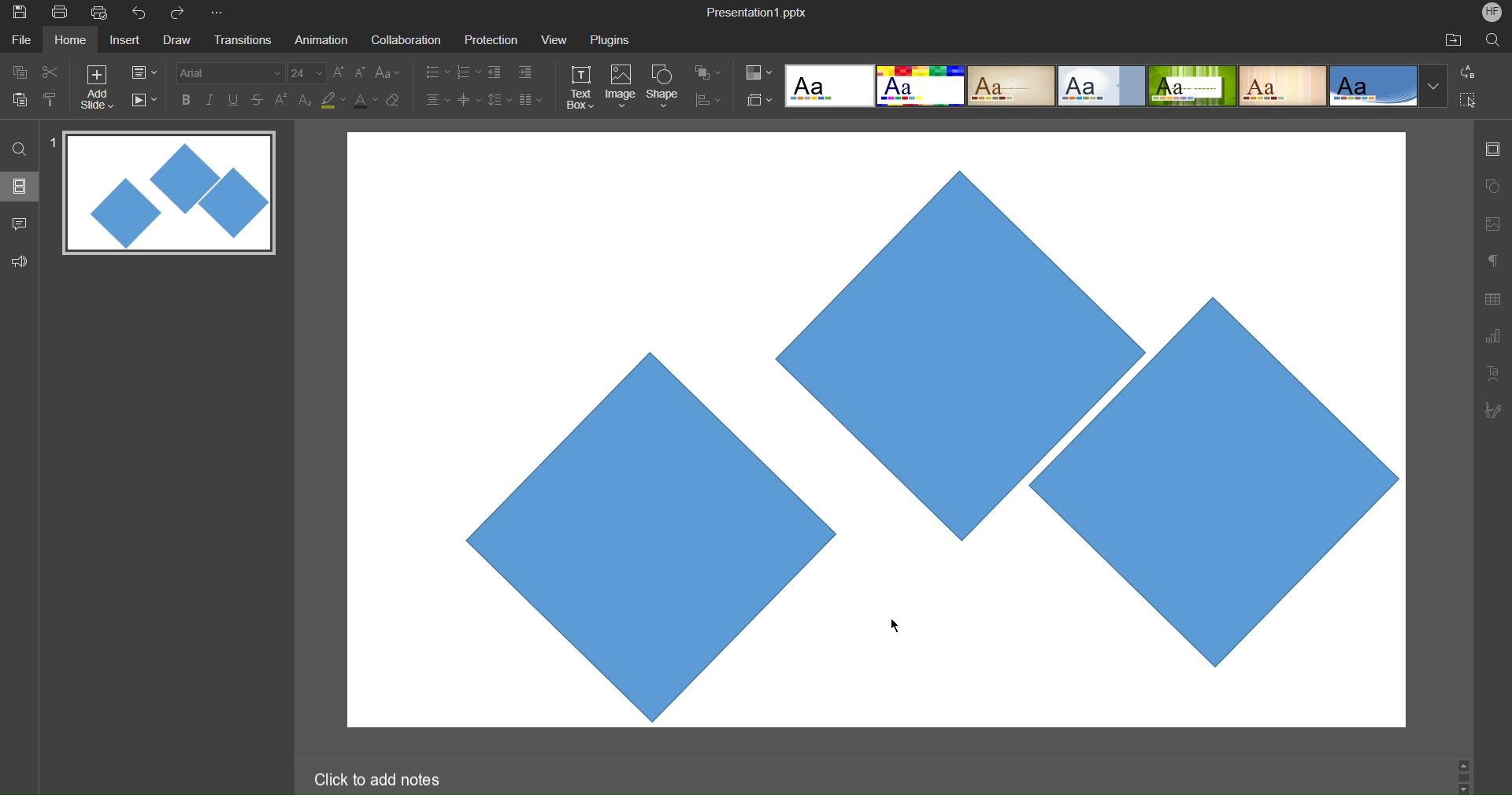 The height and width of the screenshot is (795, 1512). Describe the element at coordinates (1492, 12) in the screenshot. I see `Account` at that location.